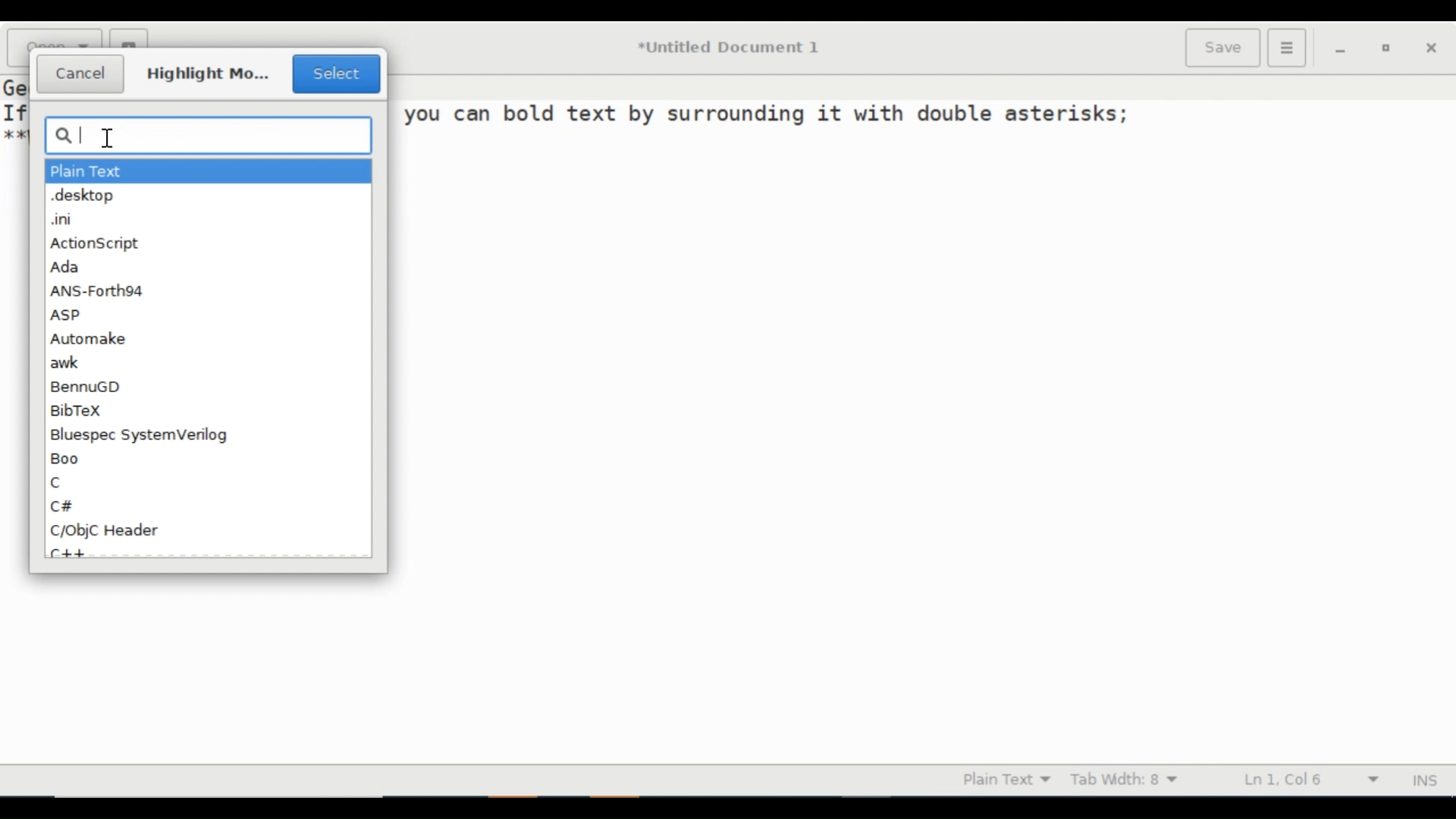 This screenshot has height=819, width=1456. Describe the element at coordinates (89, 171) in the screenshot. I see `Plain Text` at that location.